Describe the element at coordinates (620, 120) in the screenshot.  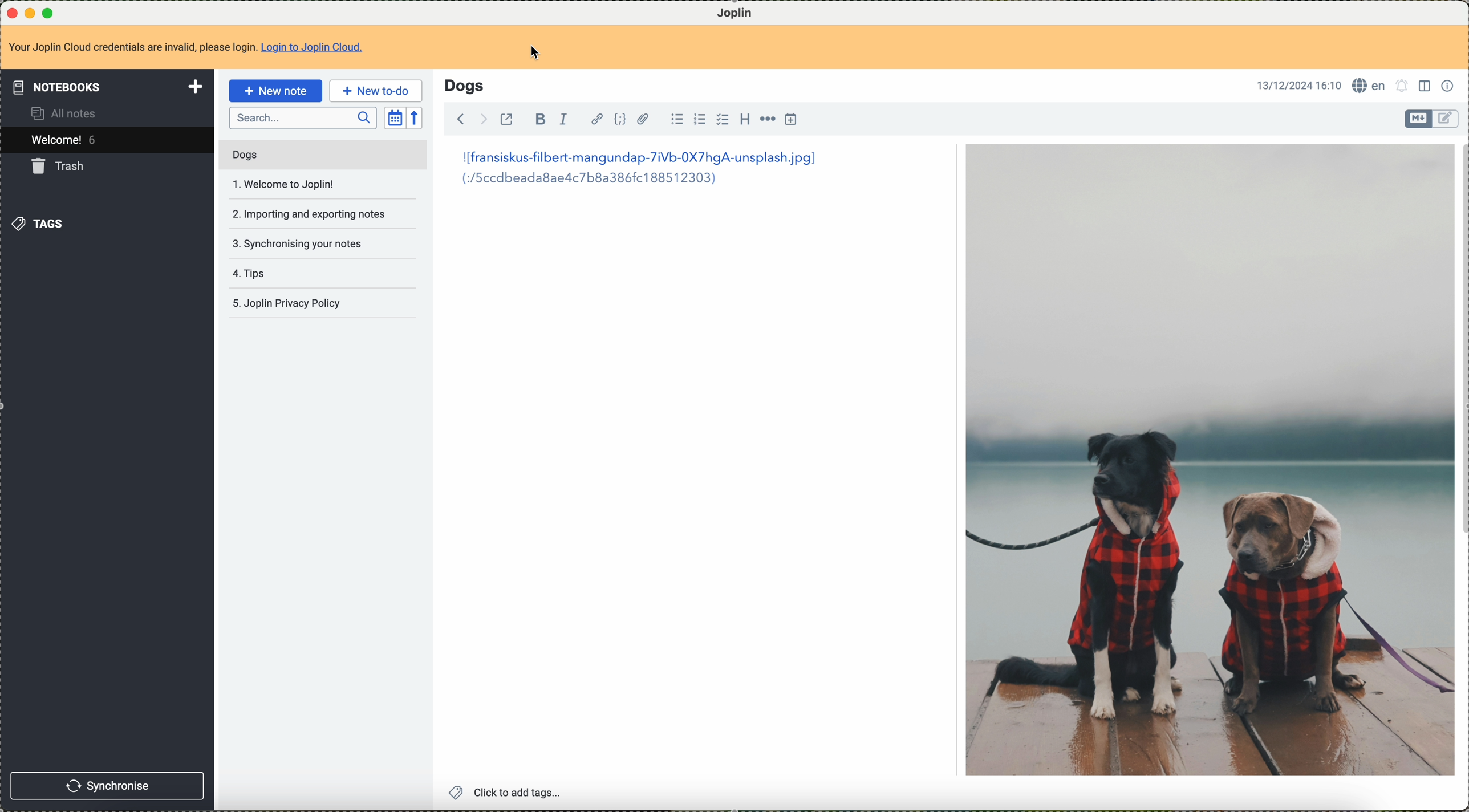
I see `code` at that location.